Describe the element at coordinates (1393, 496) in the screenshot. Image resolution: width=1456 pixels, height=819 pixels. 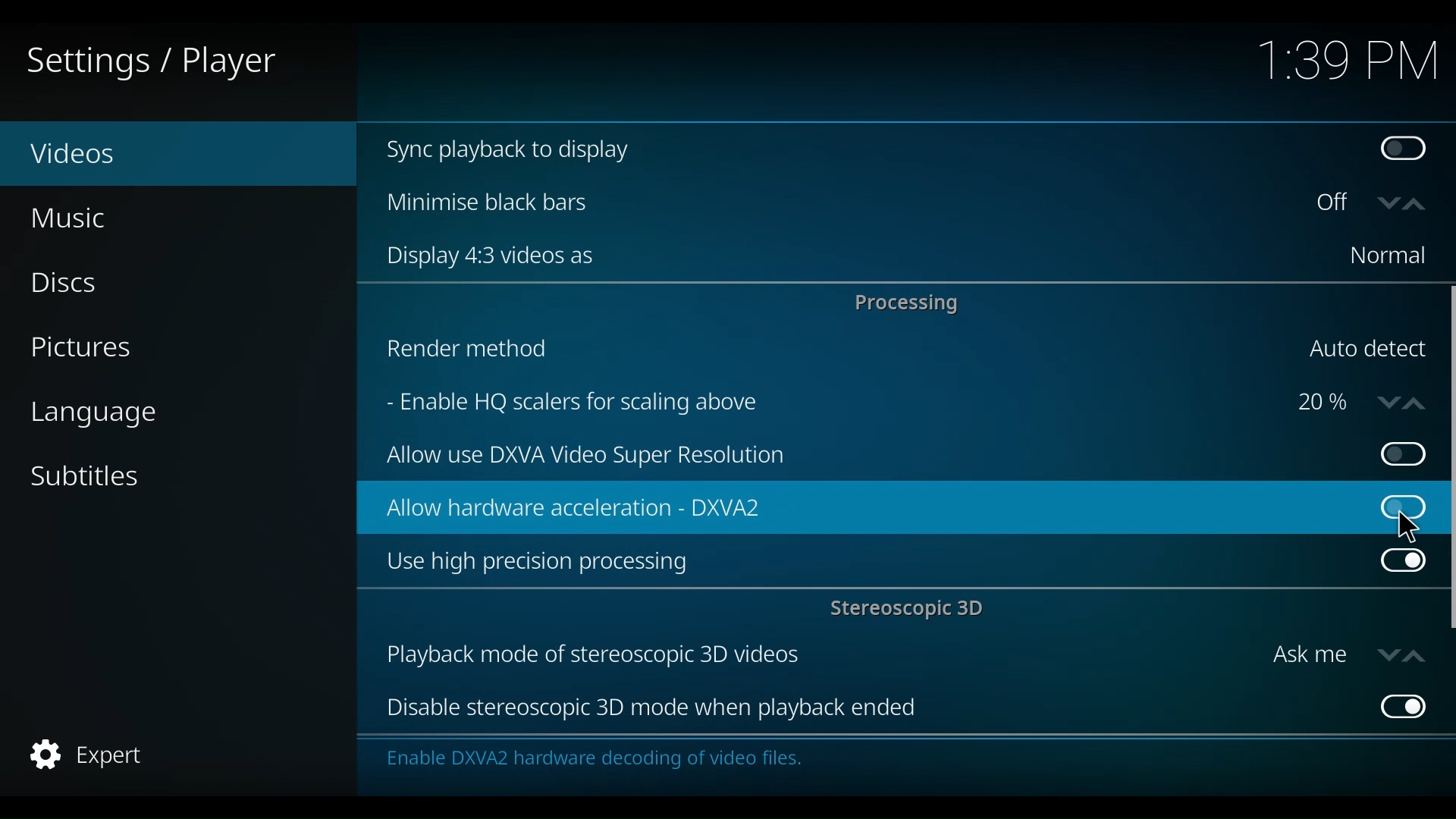
I see `Toggle on/off Allow hardware acceleration` at that location.